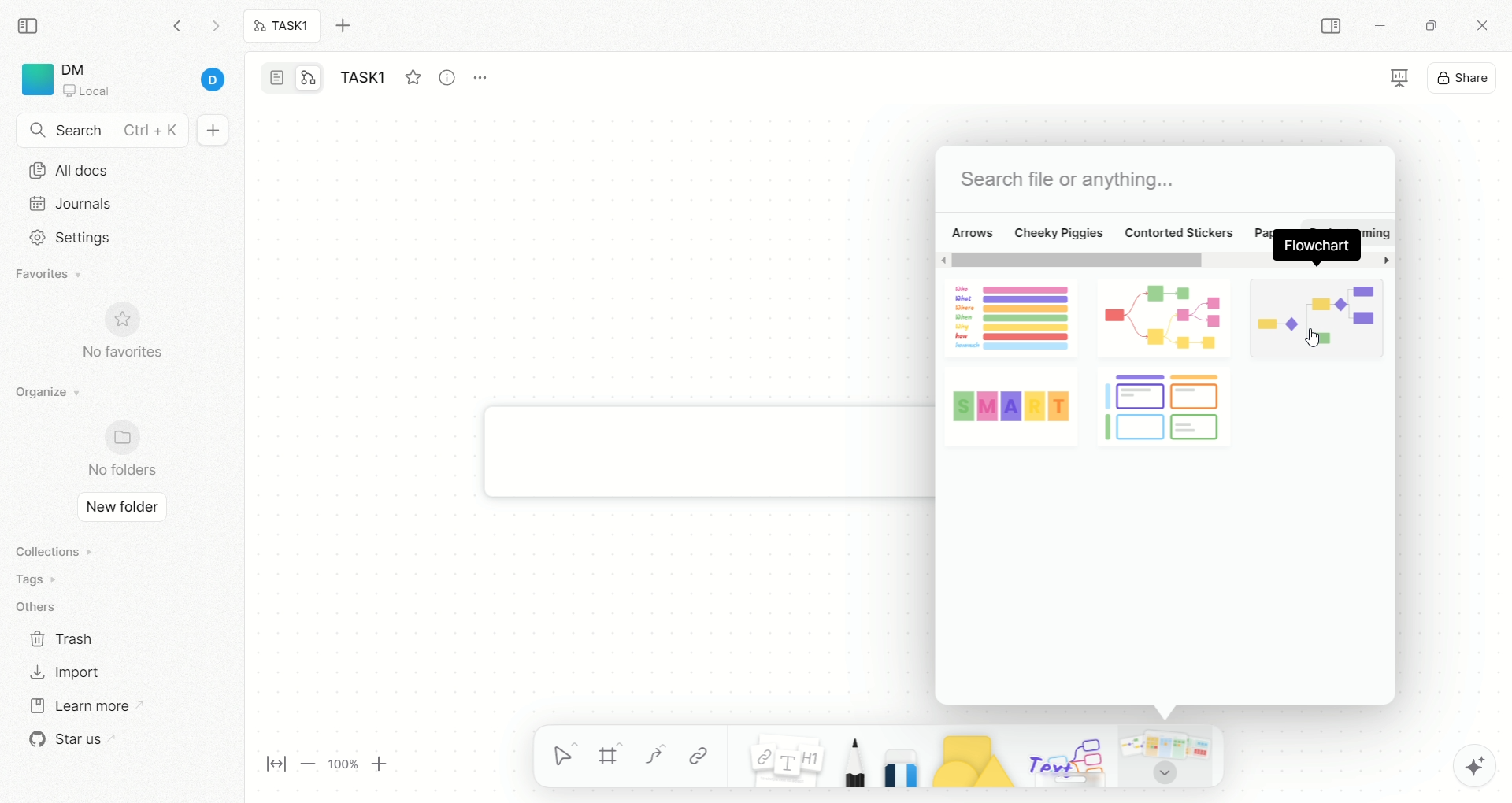 The height and width of the screenshot is (803, 1512). Describe the element at coordinates (1168, 756) in the screenshot. I see `Templates` at that location.